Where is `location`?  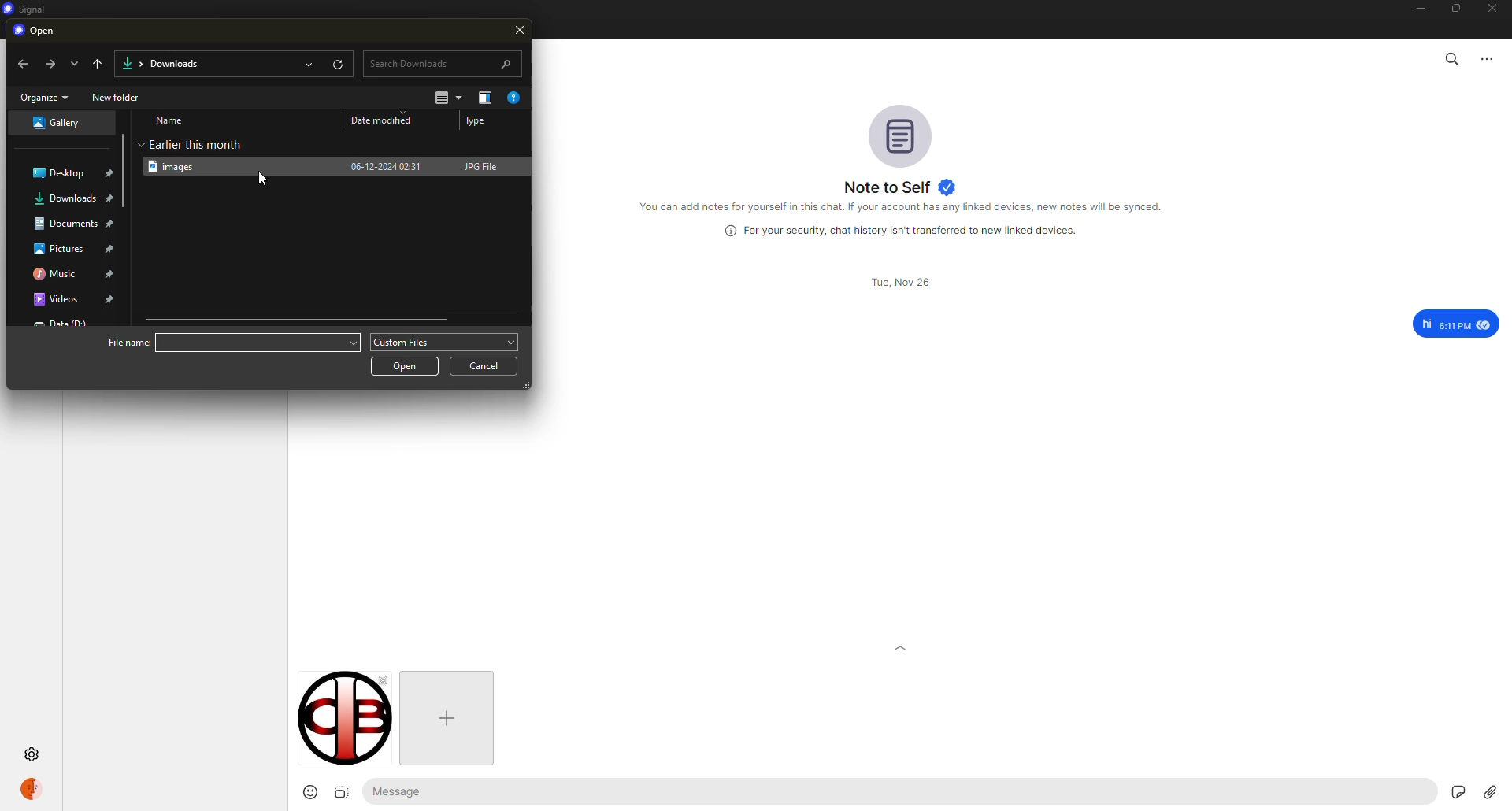 location is located at coordinates (66, 224).